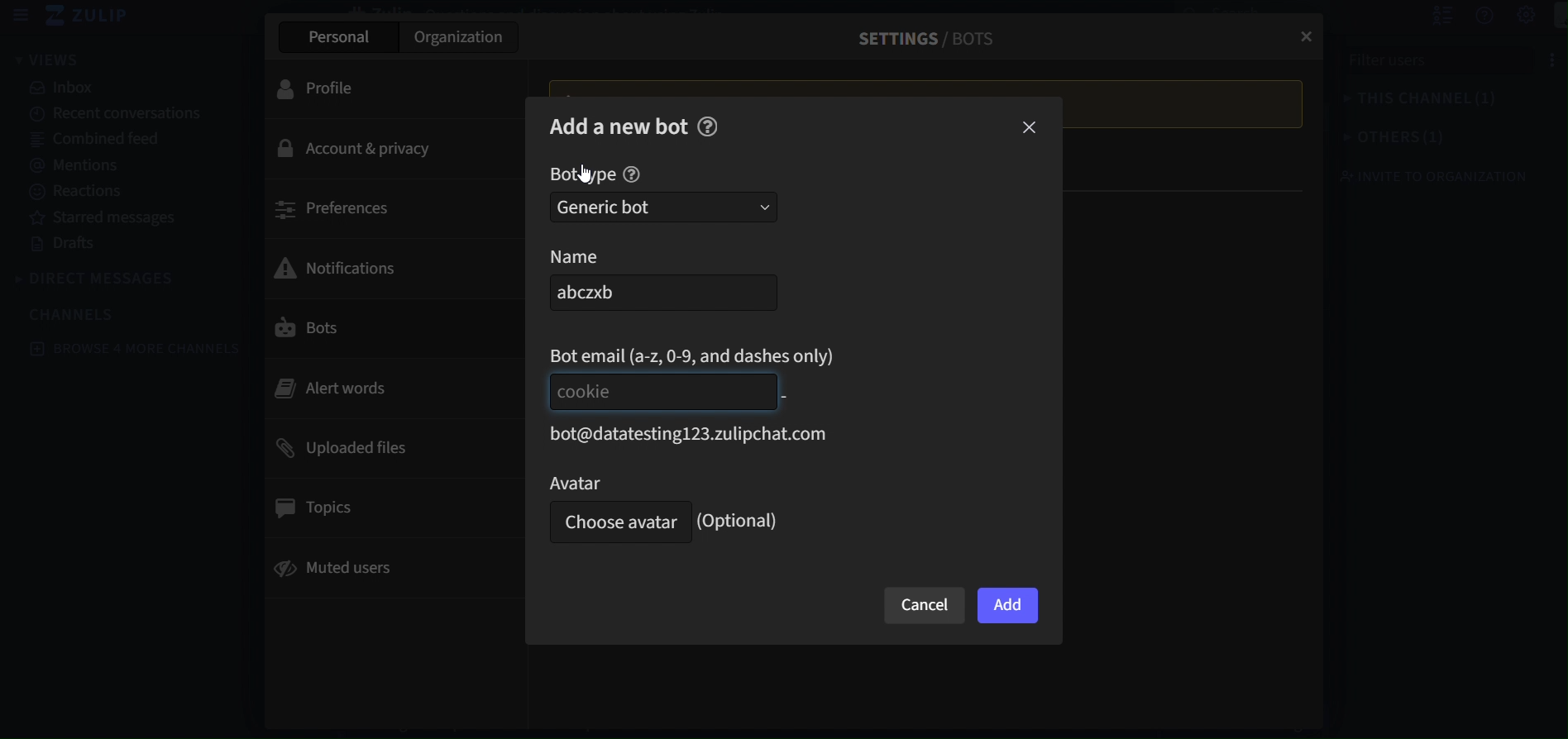  Describe the element at coordinates (1466, 17) in the screenshot. I see `get help` at that location.